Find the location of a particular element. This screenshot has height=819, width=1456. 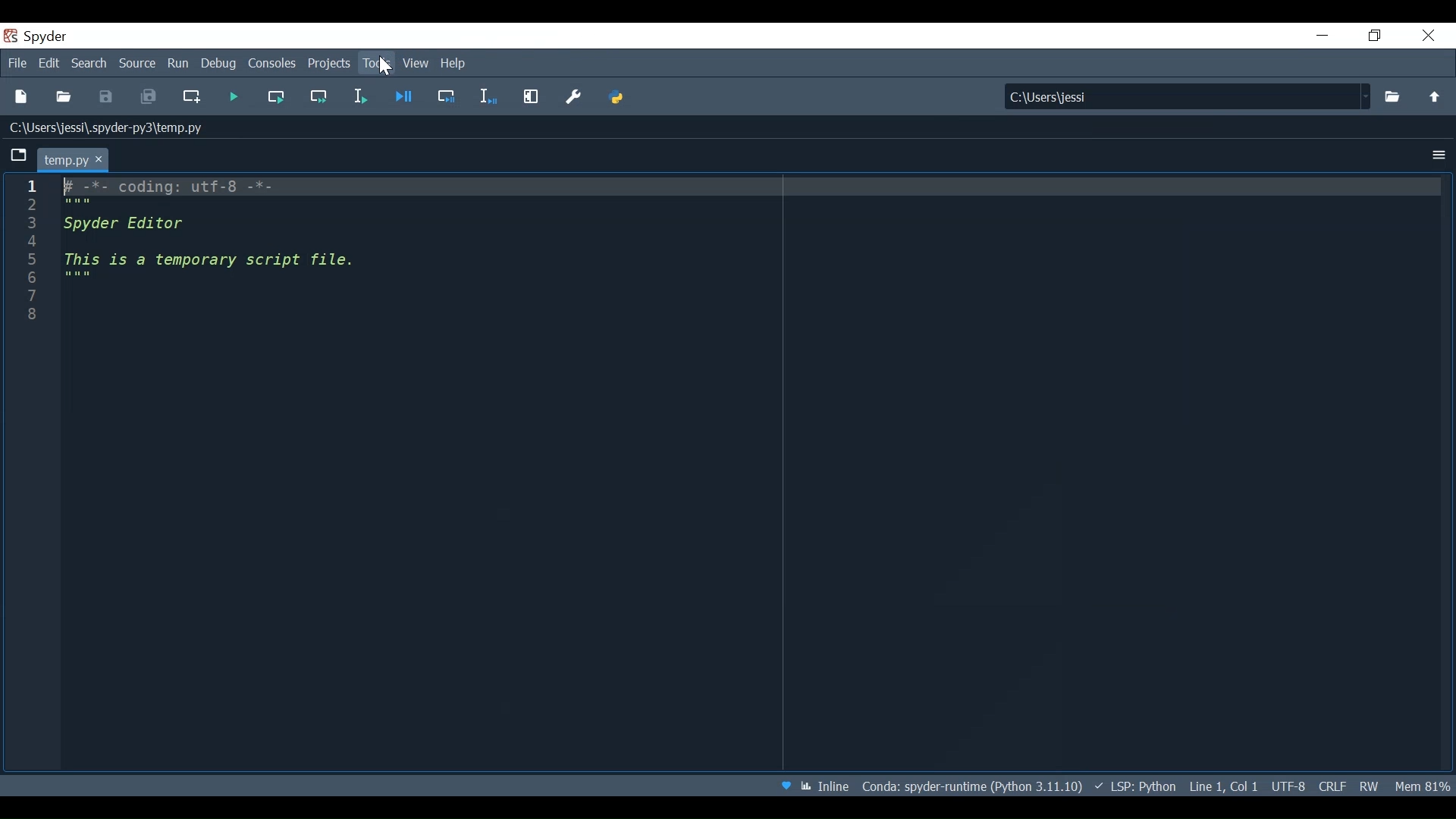

Source is located at coordinates (138, 64).